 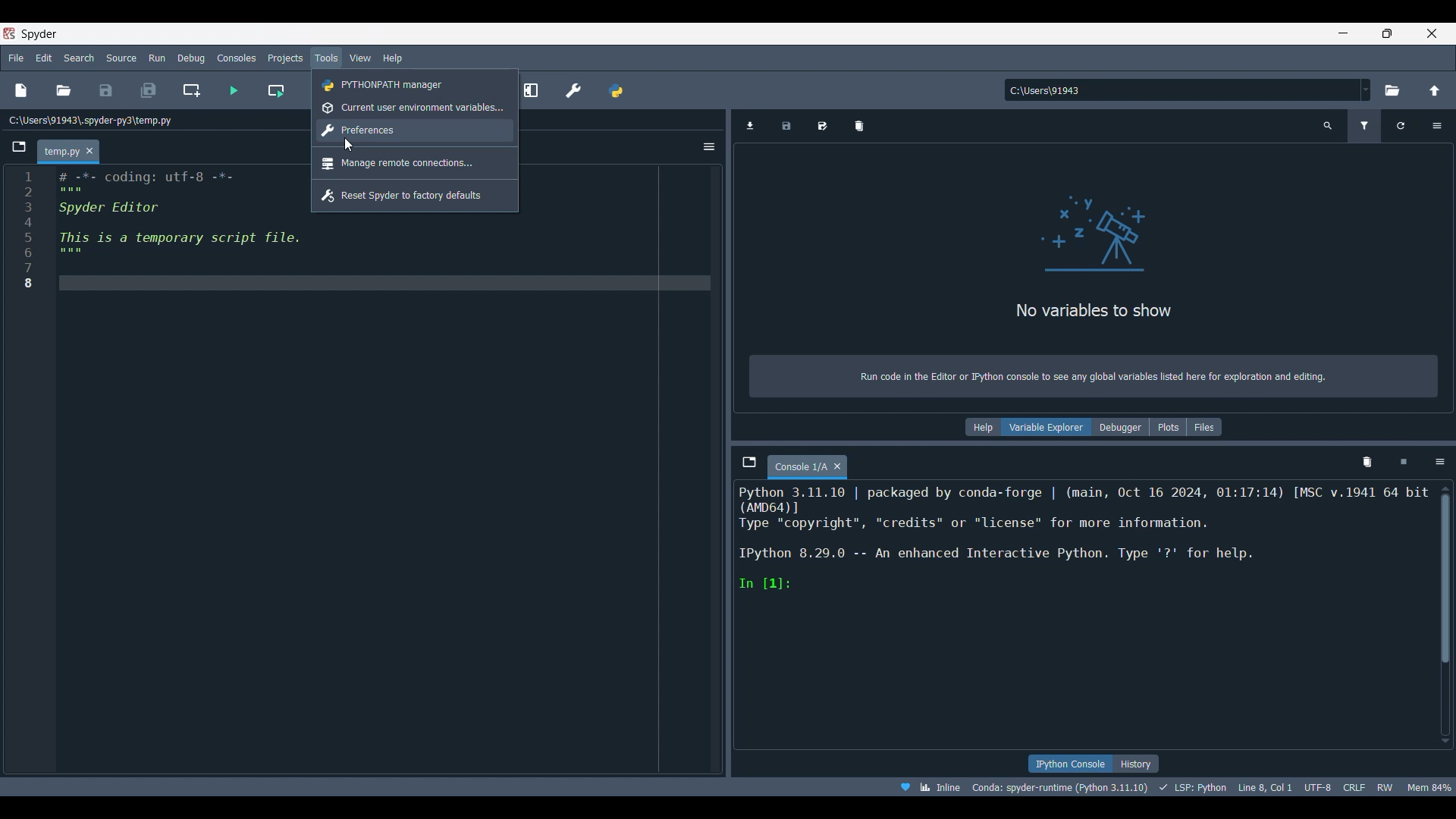 I want to click on Save file, so click(x=106, y=90).